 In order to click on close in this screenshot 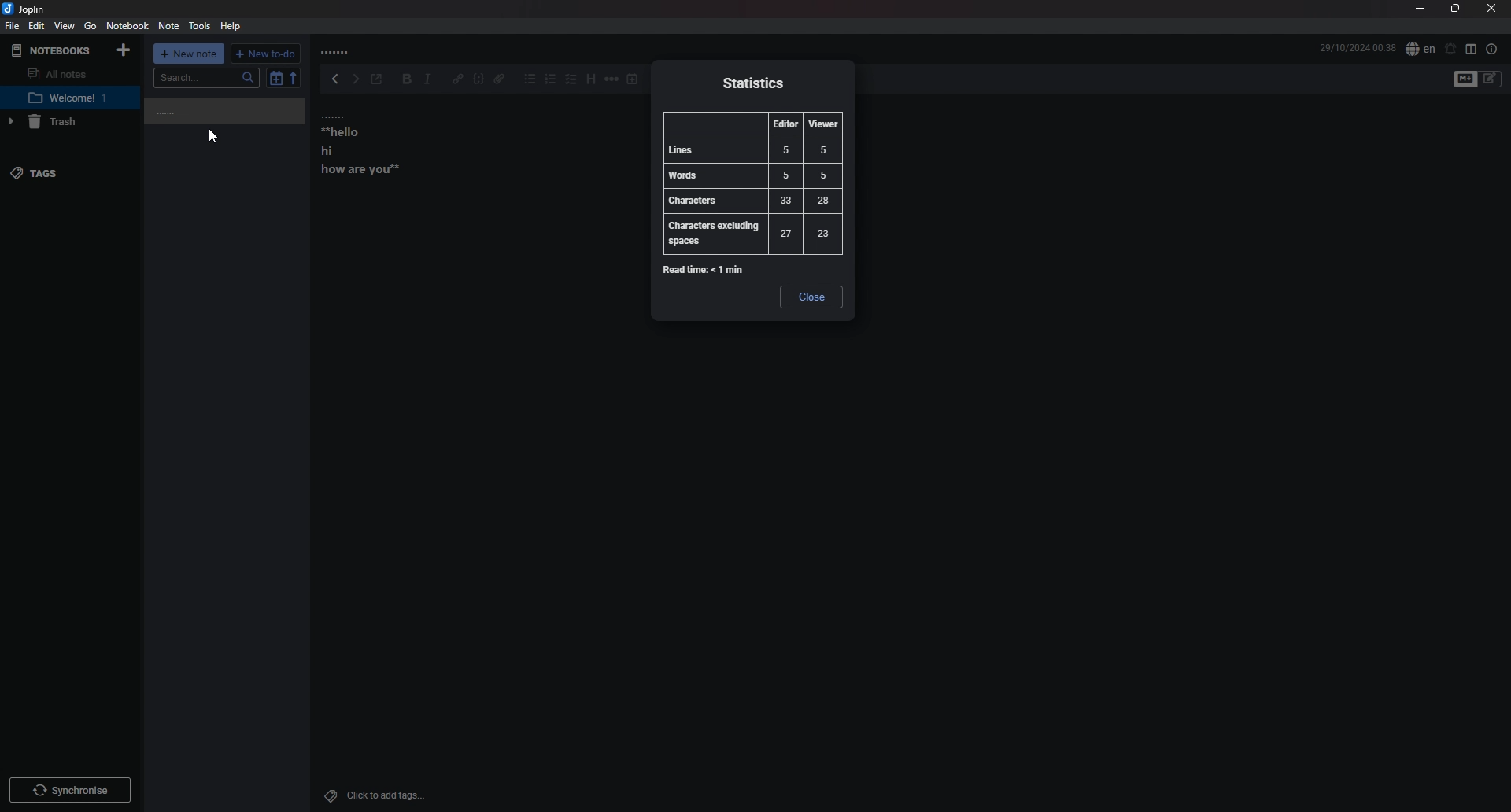, I will do `click(811, 298)`.